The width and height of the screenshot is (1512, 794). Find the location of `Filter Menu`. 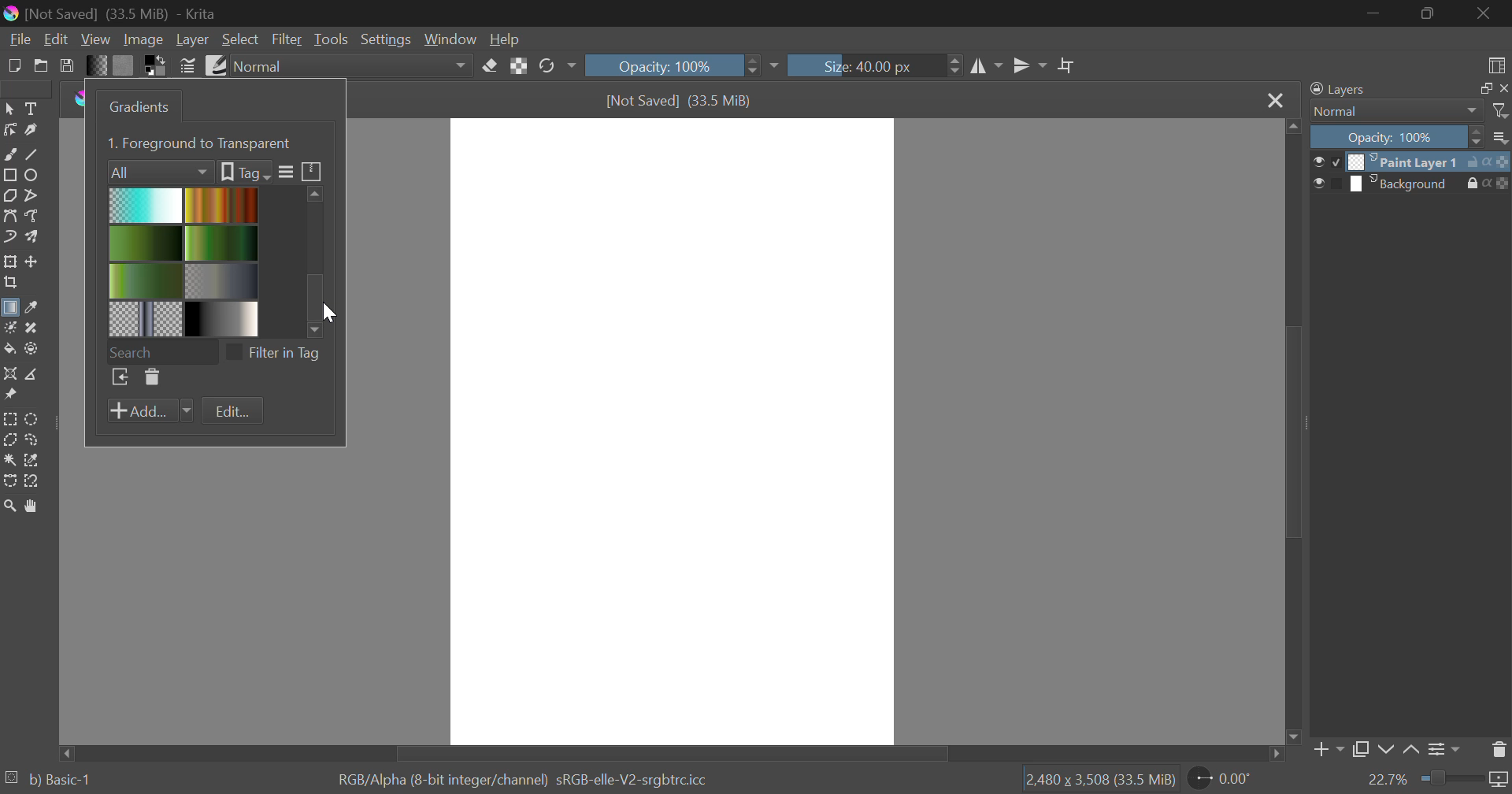

Filter Menu is located at coordinates (284, 173).